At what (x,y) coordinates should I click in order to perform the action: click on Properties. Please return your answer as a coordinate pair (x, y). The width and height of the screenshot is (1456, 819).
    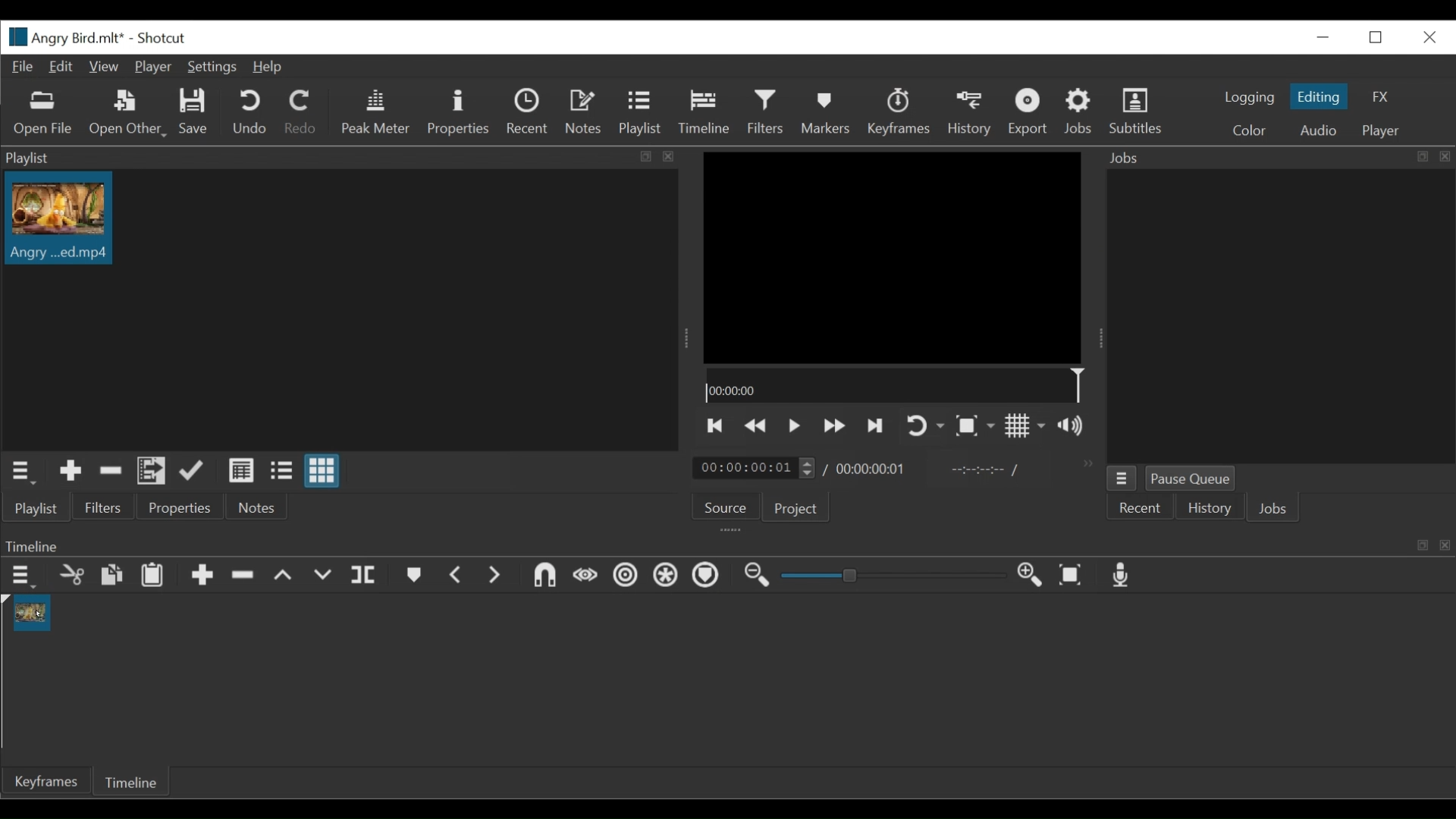
    Looking at the image, I should click on (178, 509).